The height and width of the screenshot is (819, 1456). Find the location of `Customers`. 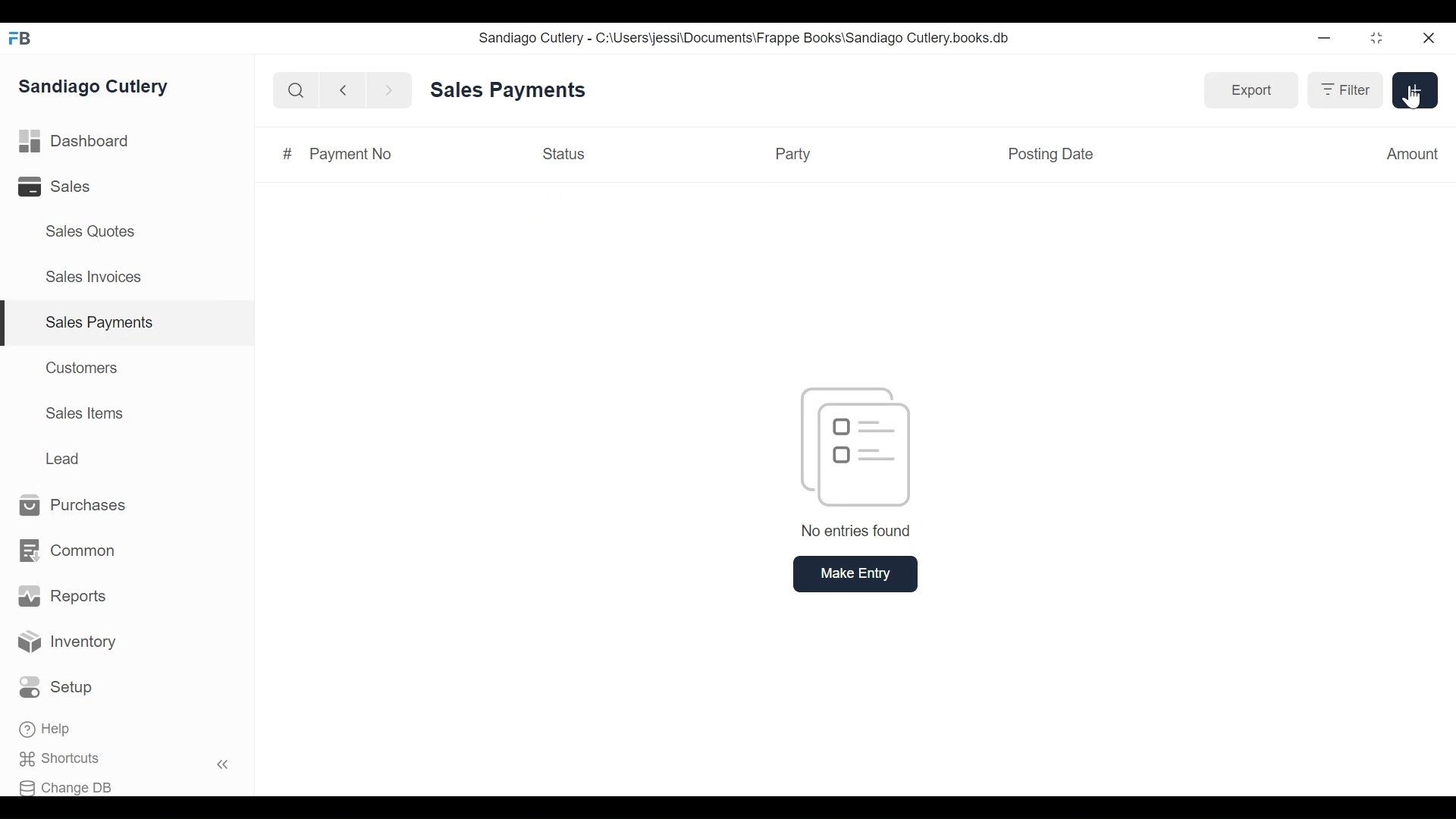

Customers is located at coordinates (83, 367).